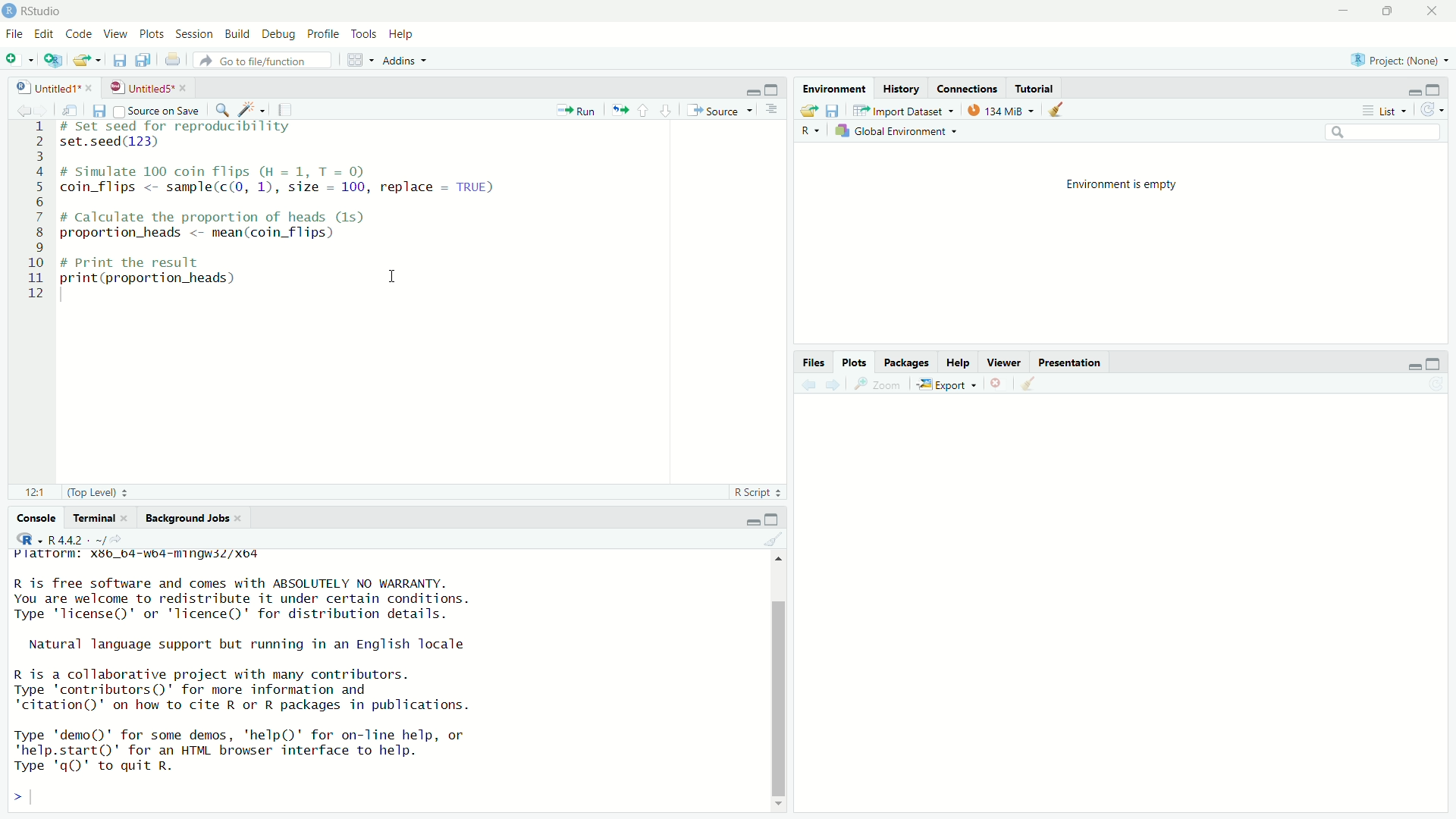 The image size is (1456, 819). Describe the element at coordinates (43, 108) in the screenshot. I see `go forward to the next source location` at that location.